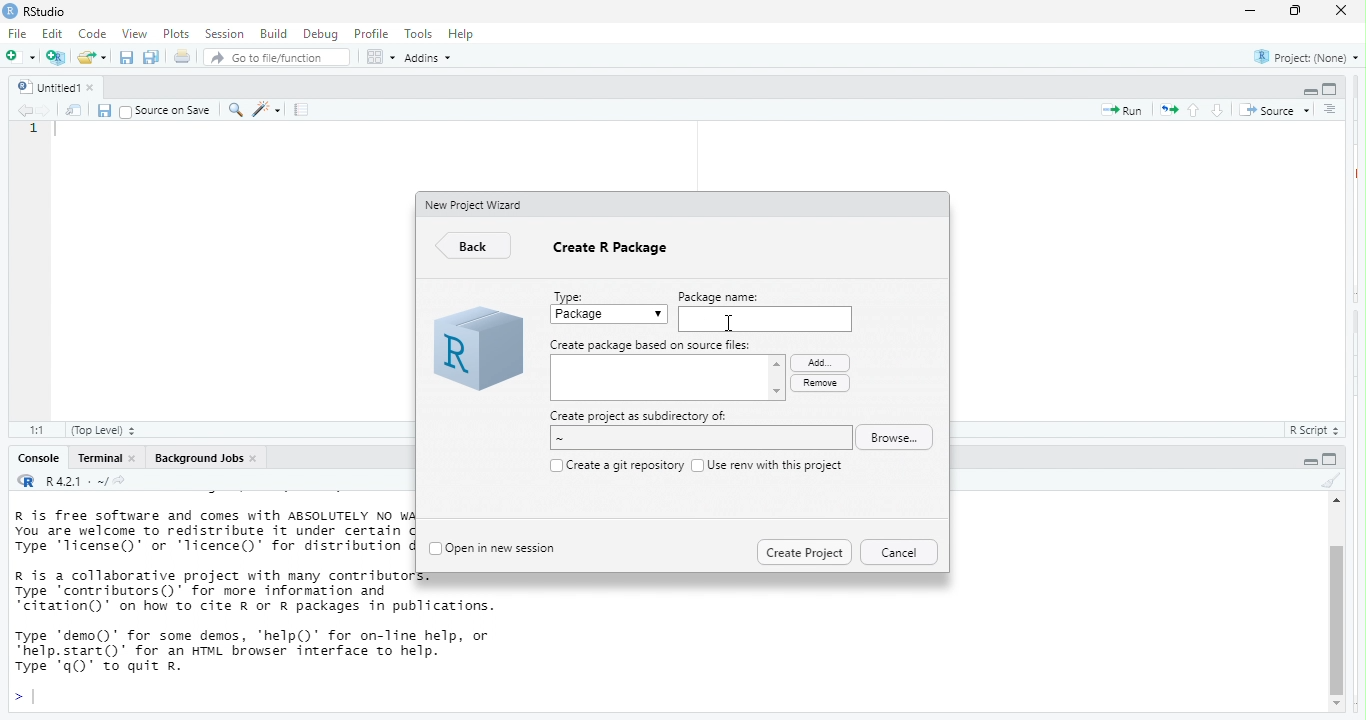 This screenshot has height=720, width=1366. Describe the element at coordinates (434, 549) in the screenshot. I see `checkbox` at that location.